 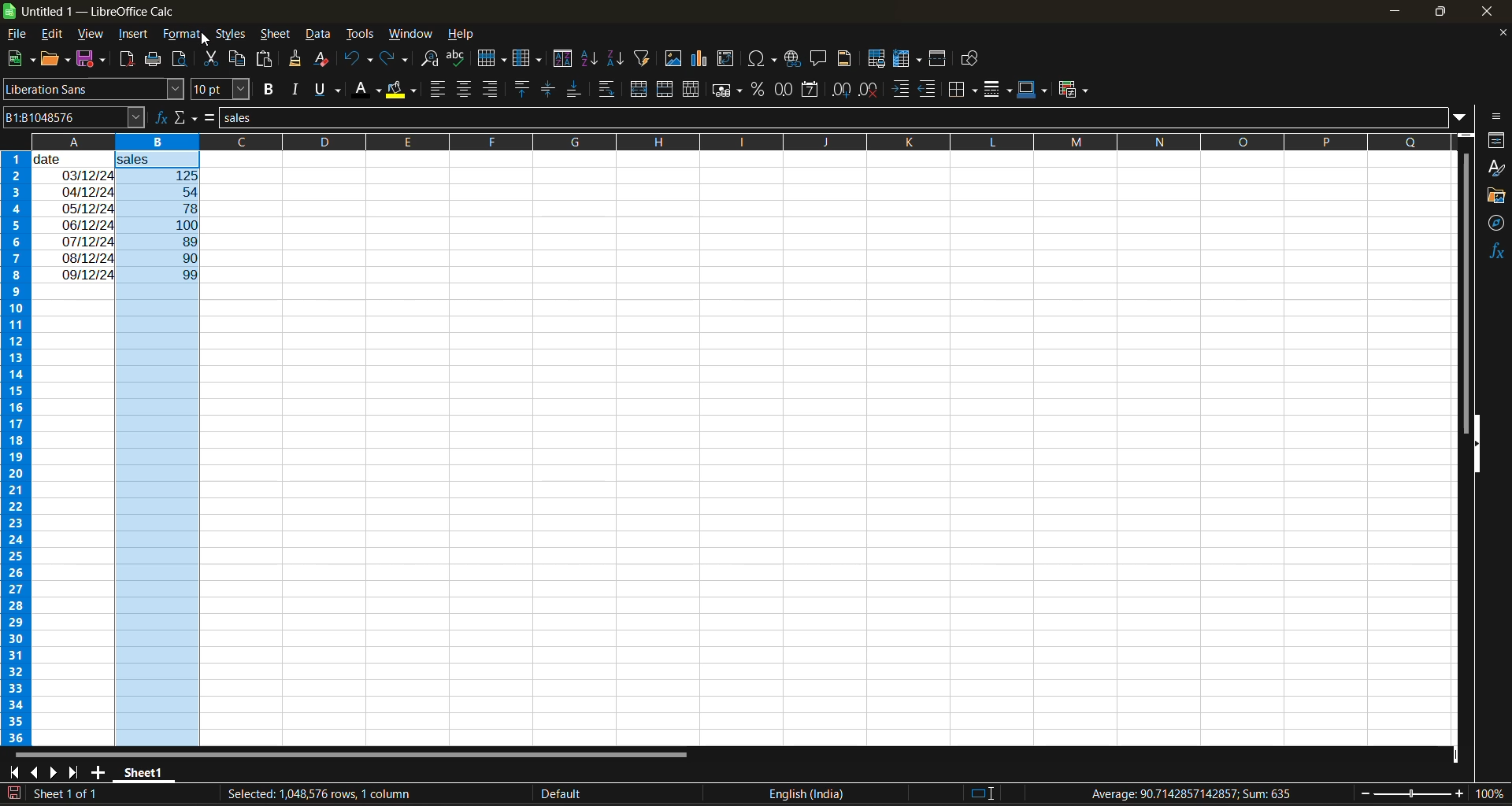 What do you see at coordinates (641, 89) in the screenshot?
I see `merge and center` at bounding box center [641, 89].